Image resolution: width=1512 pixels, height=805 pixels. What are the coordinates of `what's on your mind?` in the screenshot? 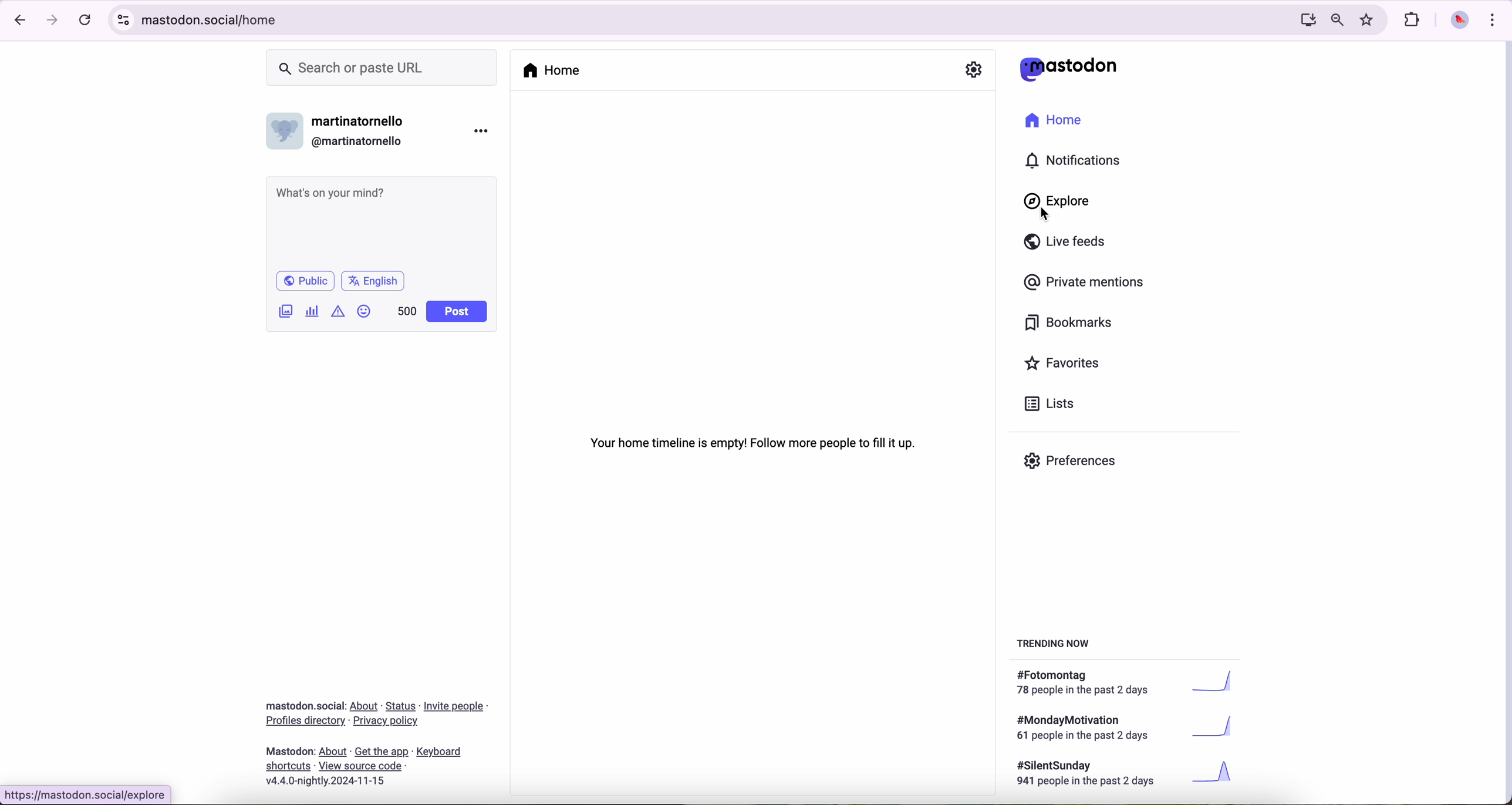 It's located at (380, 221).